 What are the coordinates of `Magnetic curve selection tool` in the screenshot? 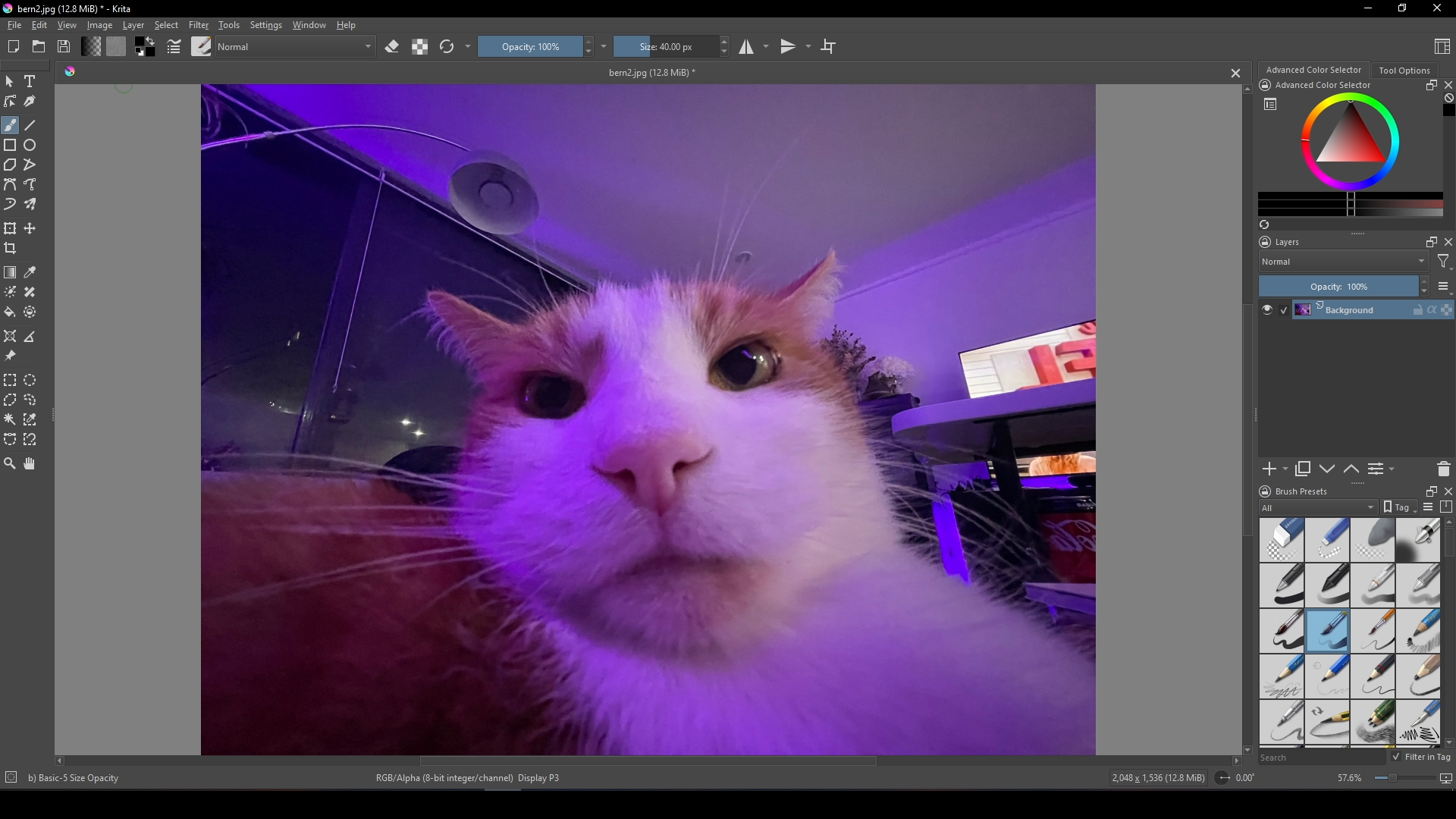 It's located at (30, 439).